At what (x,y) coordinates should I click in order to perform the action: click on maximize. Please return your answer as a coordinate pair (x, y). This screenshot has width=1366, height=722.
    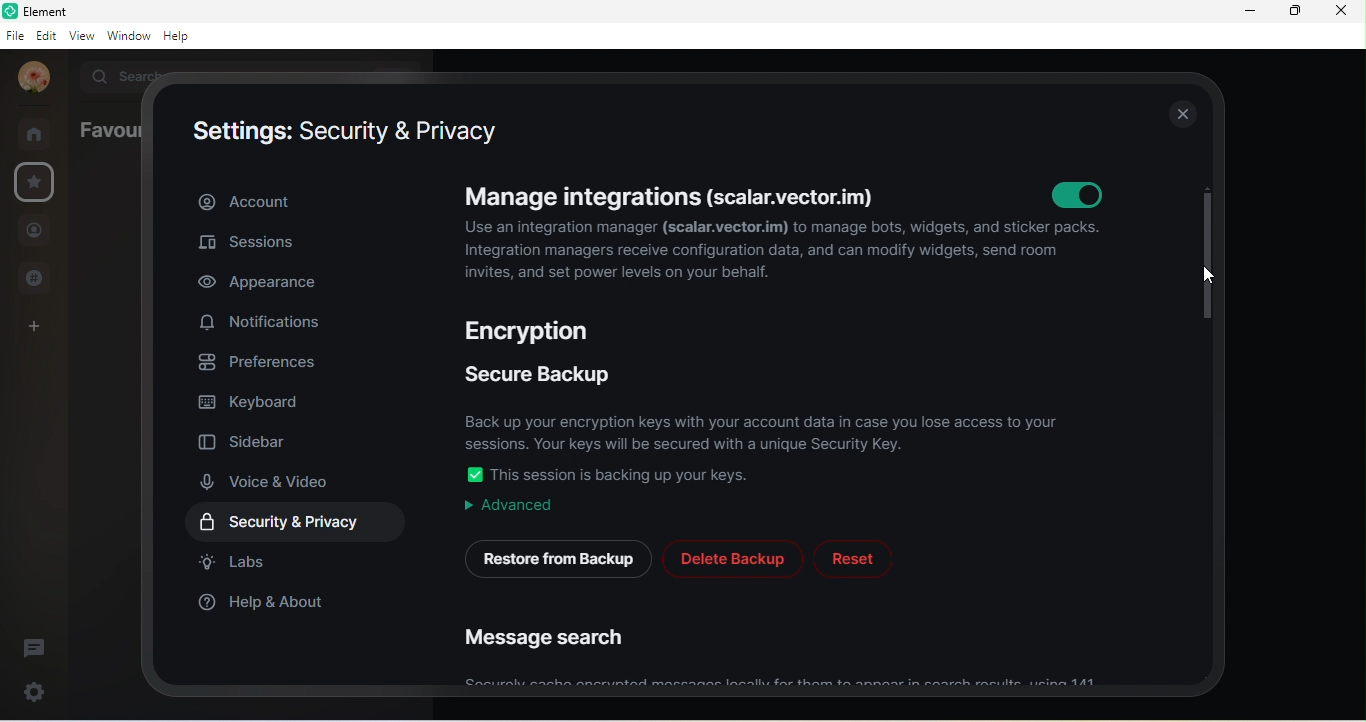
    Looking at the image, I should click on (1292, 12).